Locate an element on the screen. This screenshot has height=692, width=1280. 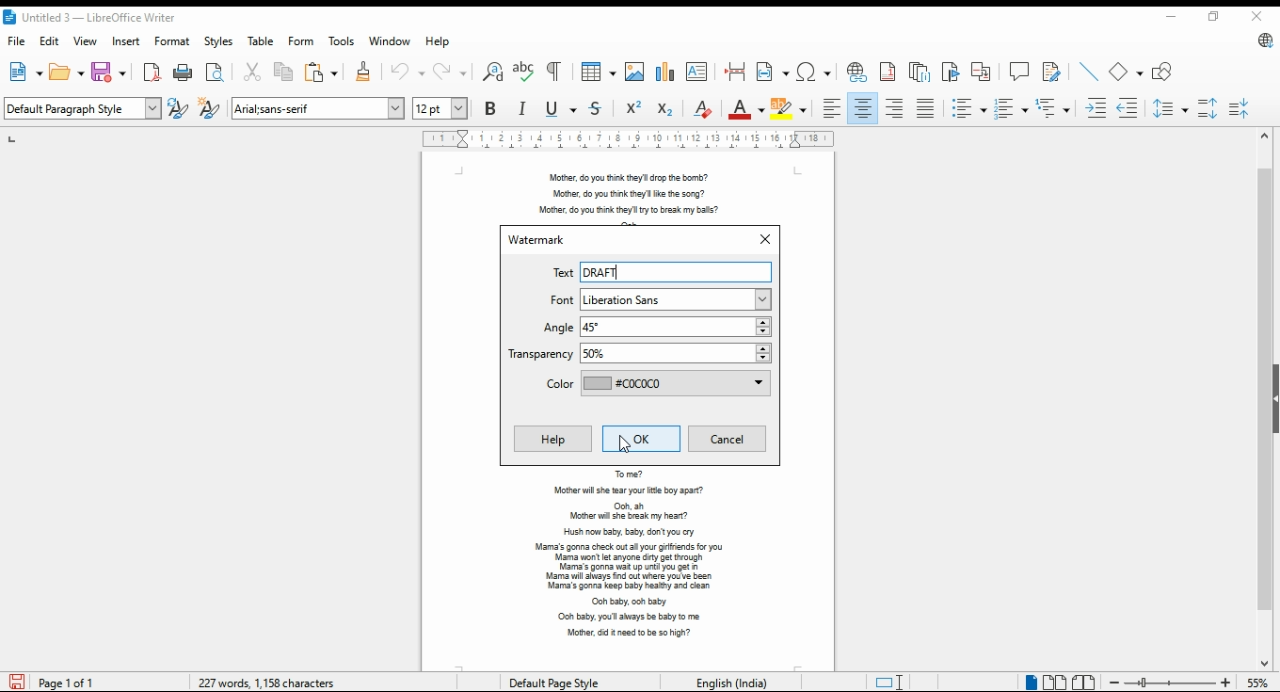
DRAFT is located at coordinates (607, 272).